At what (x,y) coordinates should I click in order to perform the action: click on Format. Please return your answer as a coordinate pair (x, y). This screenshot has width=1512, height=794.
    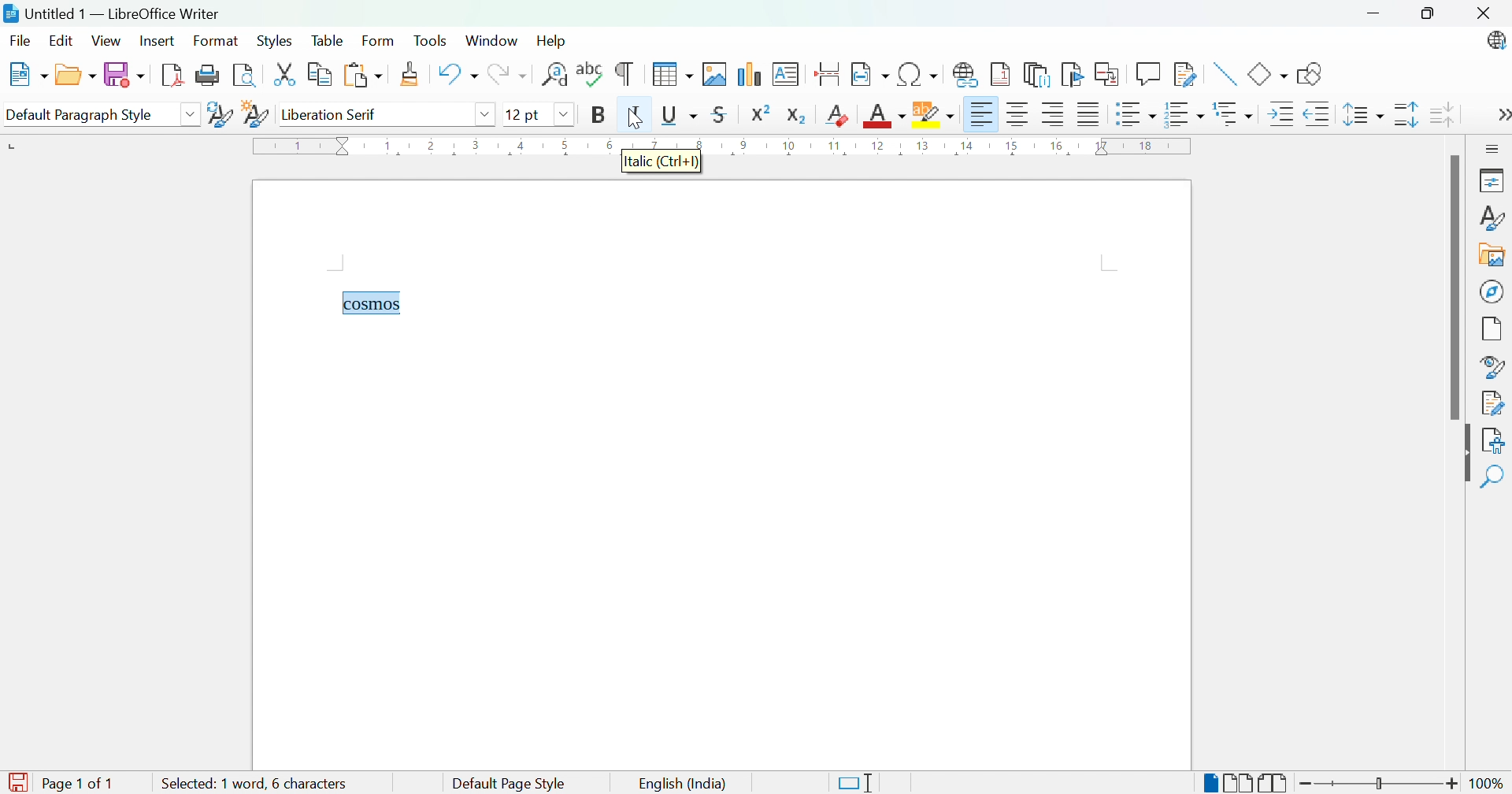
    Looking at the image, I should click on (218, 41).